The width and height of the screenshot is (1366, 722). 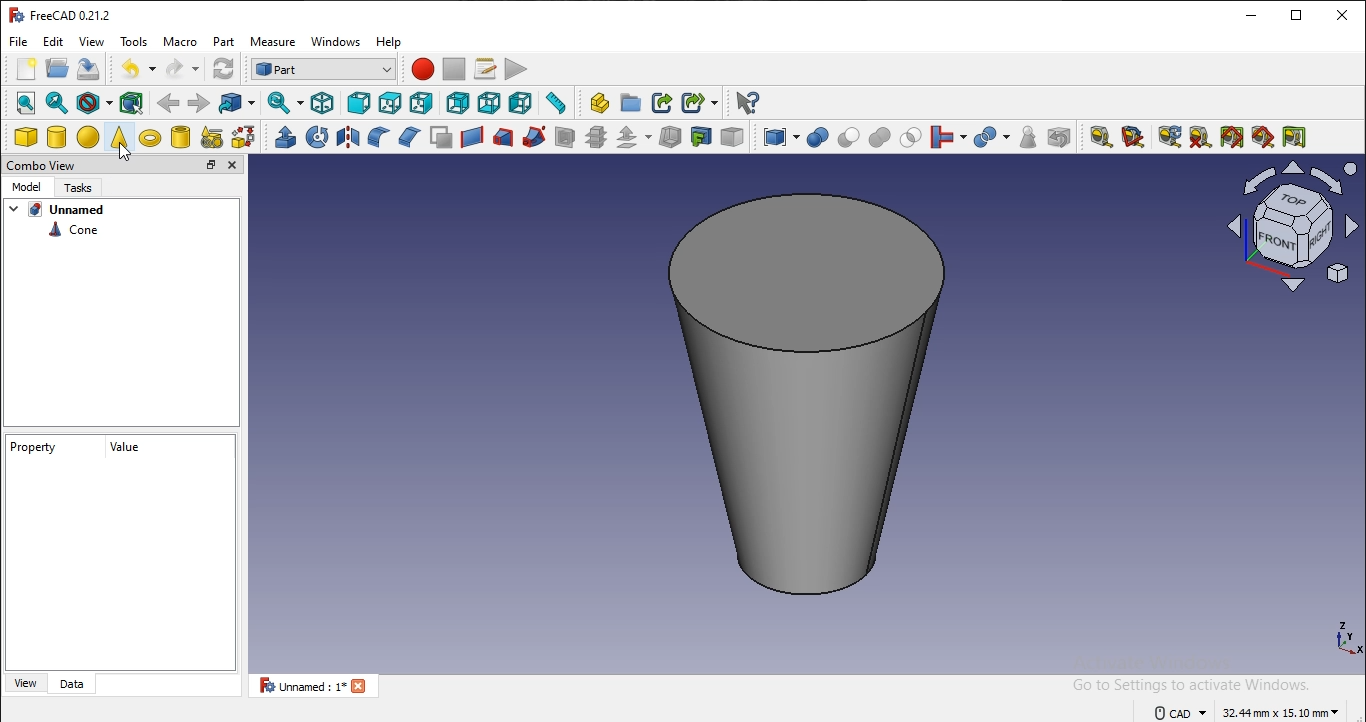 I want to click on tools, so click(x=133, y=40).